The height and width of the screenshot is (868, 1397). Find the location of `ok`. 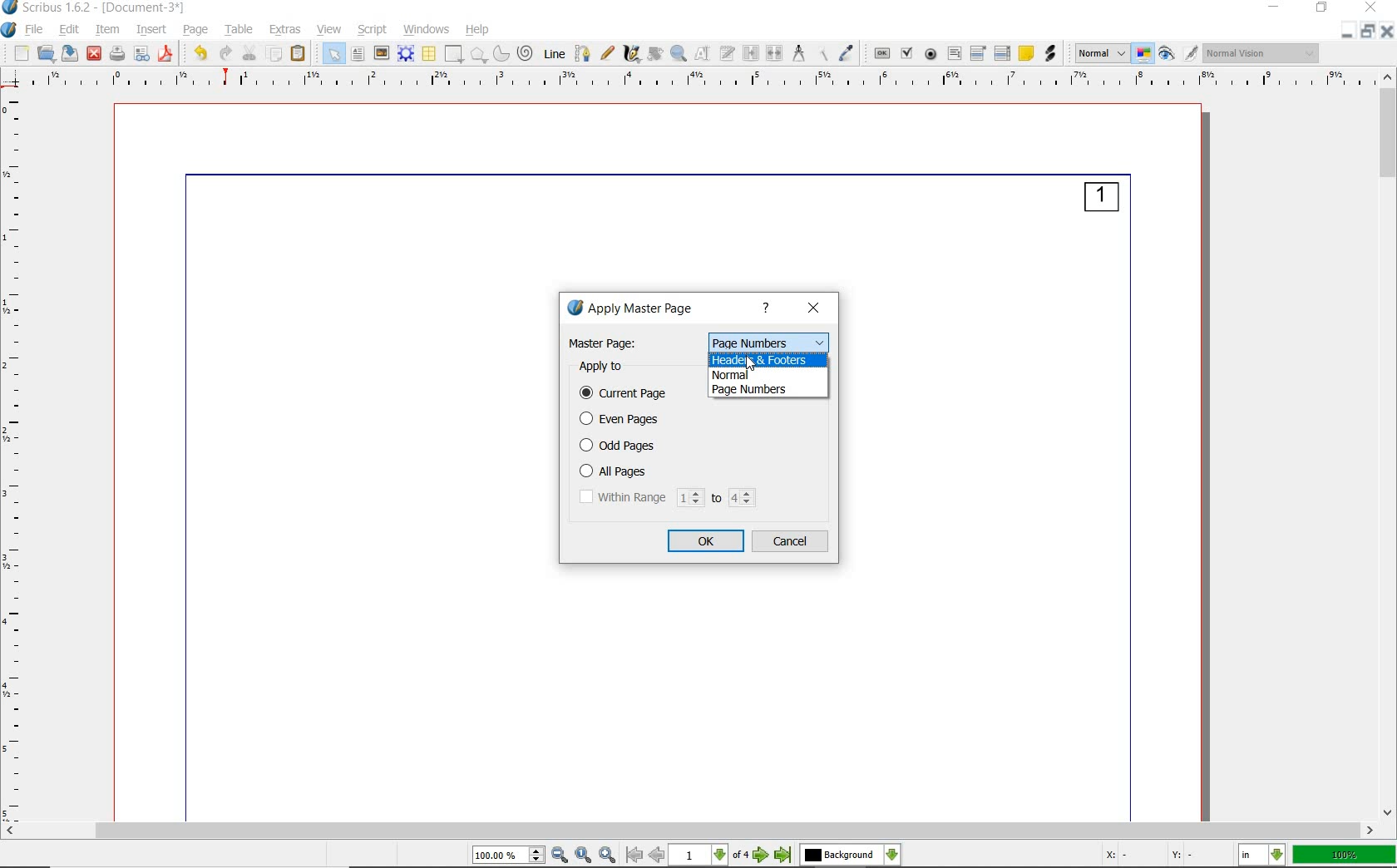

ok is located at coordinates (708, 541).